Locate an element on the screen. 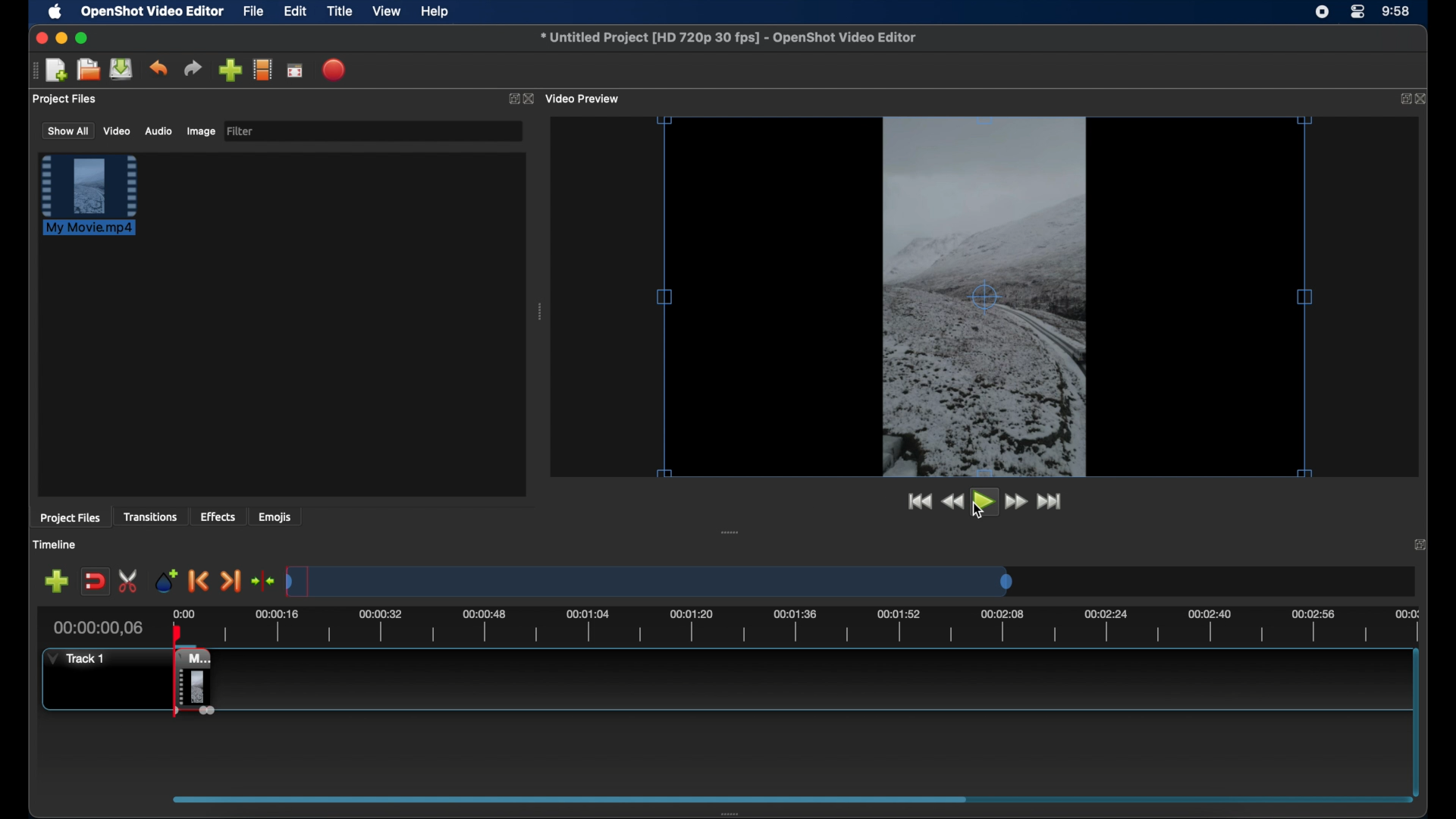  time is located at coordinates (1397, 12).